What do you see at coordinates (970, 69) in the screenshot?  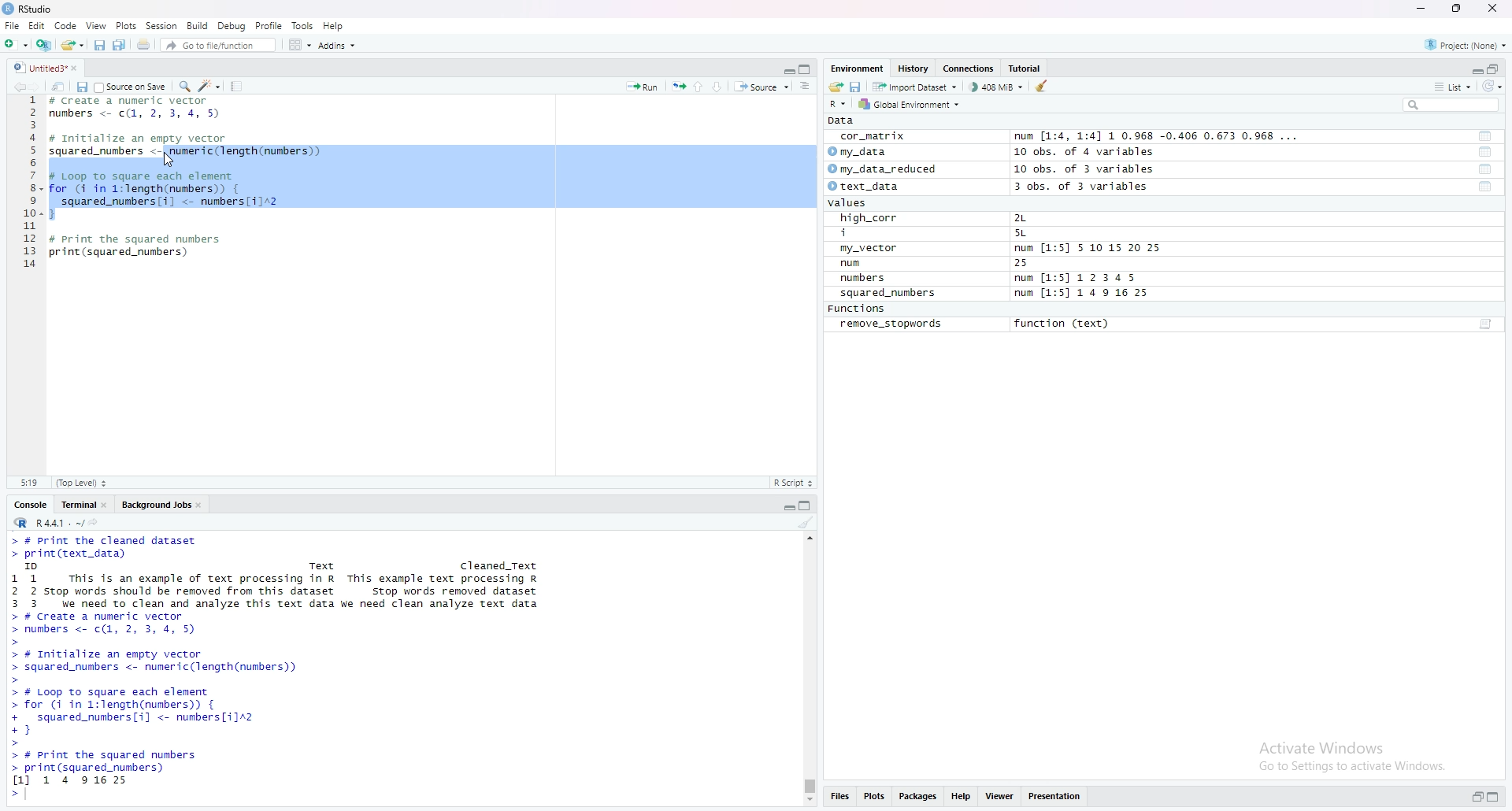 I see `Connections` at bounding box center [970, 69].